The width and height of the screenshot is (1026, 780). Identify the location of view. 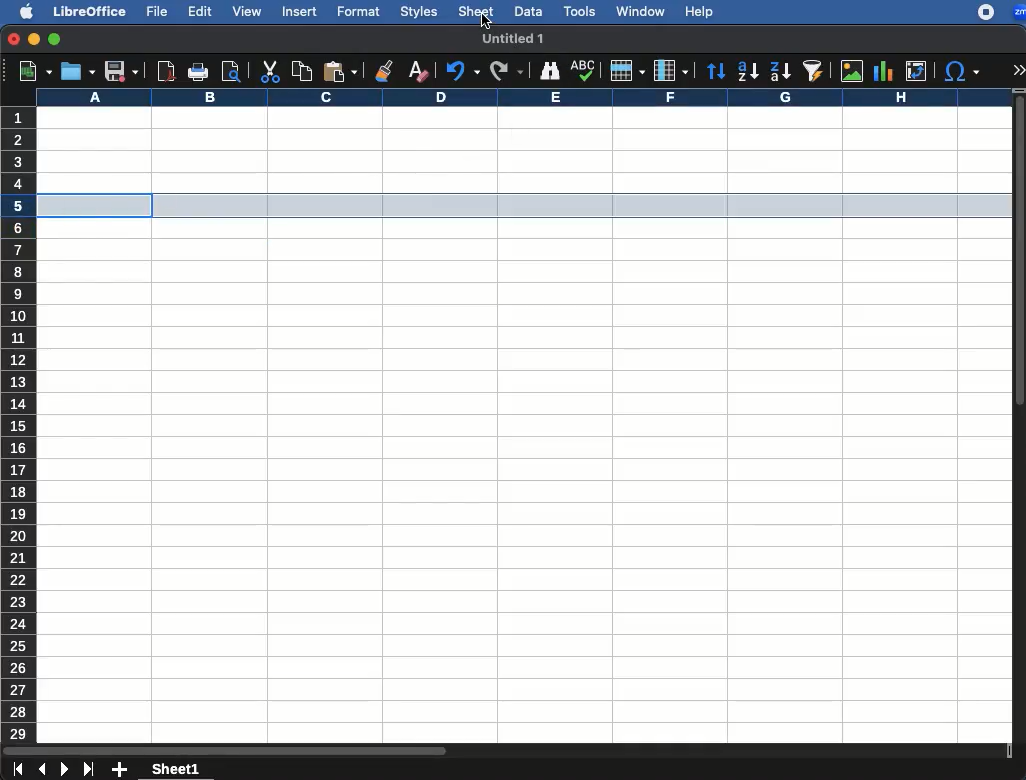
(246, 12).